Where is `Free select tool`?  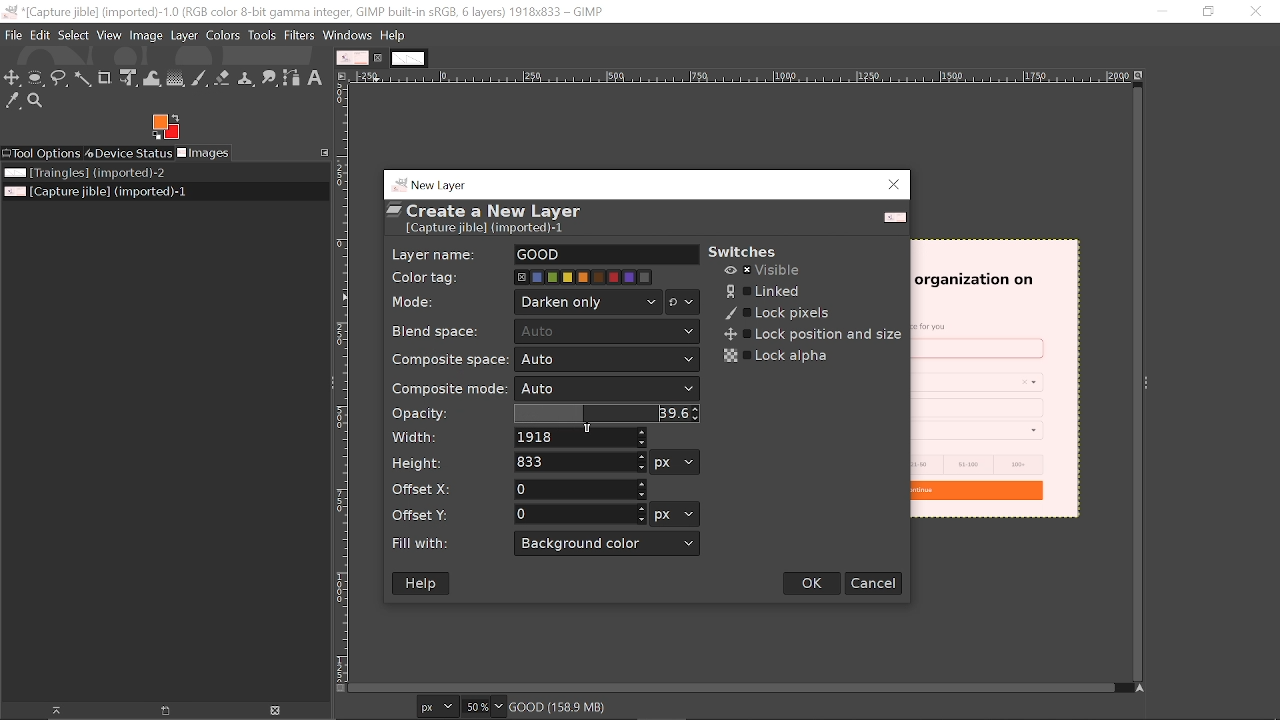
Free select tool is located at coordinates (59, 78).